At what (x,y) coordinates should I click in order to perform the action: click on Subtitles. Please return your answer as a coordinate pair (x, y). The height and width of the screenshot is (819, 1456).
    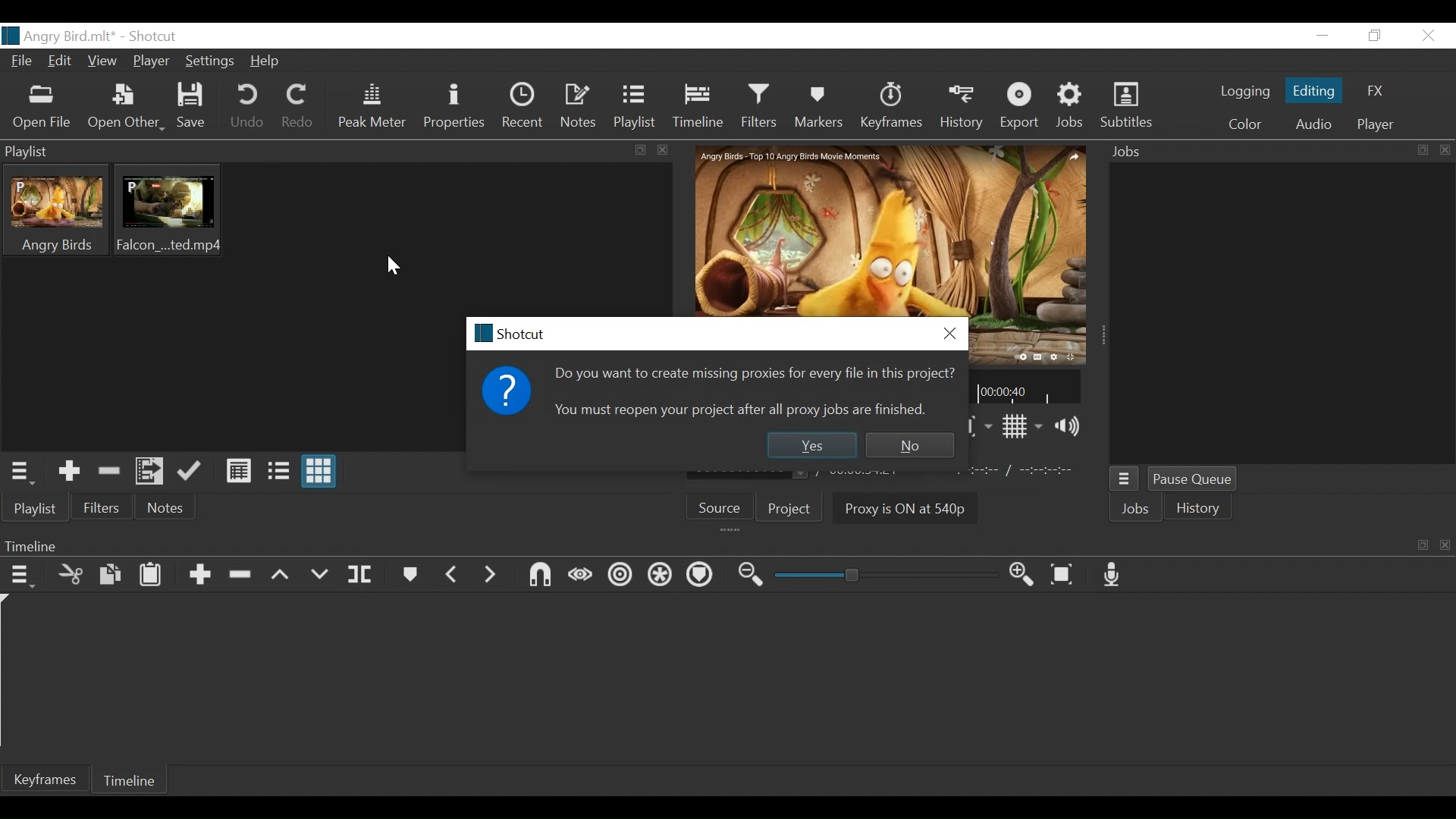
    Looking at the image, I should click on (1127, 106).